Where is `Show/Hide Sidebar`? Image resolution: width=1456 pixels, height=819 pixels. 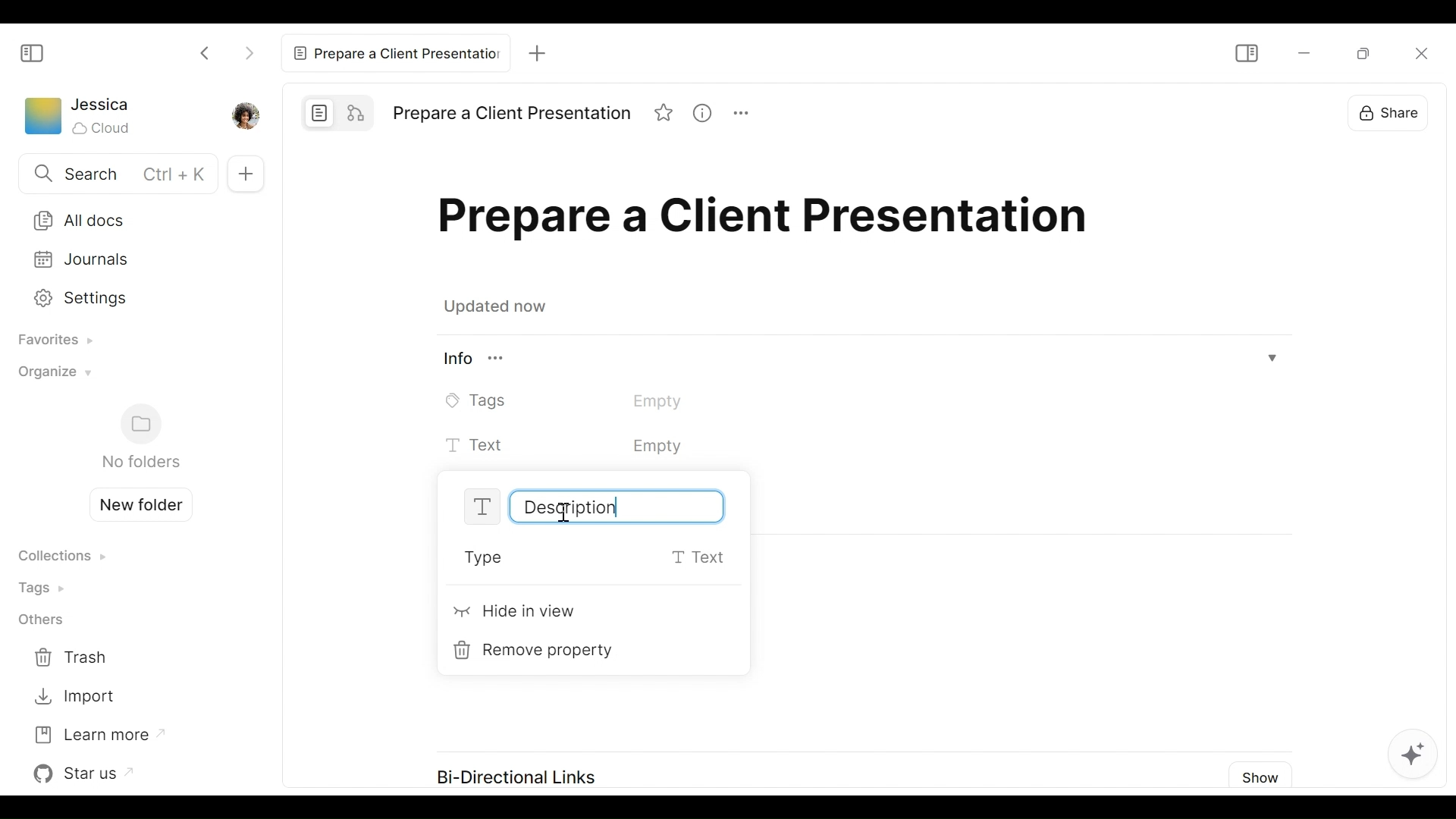 Show/Hide Sidebar is located at coordinates (33, 52).